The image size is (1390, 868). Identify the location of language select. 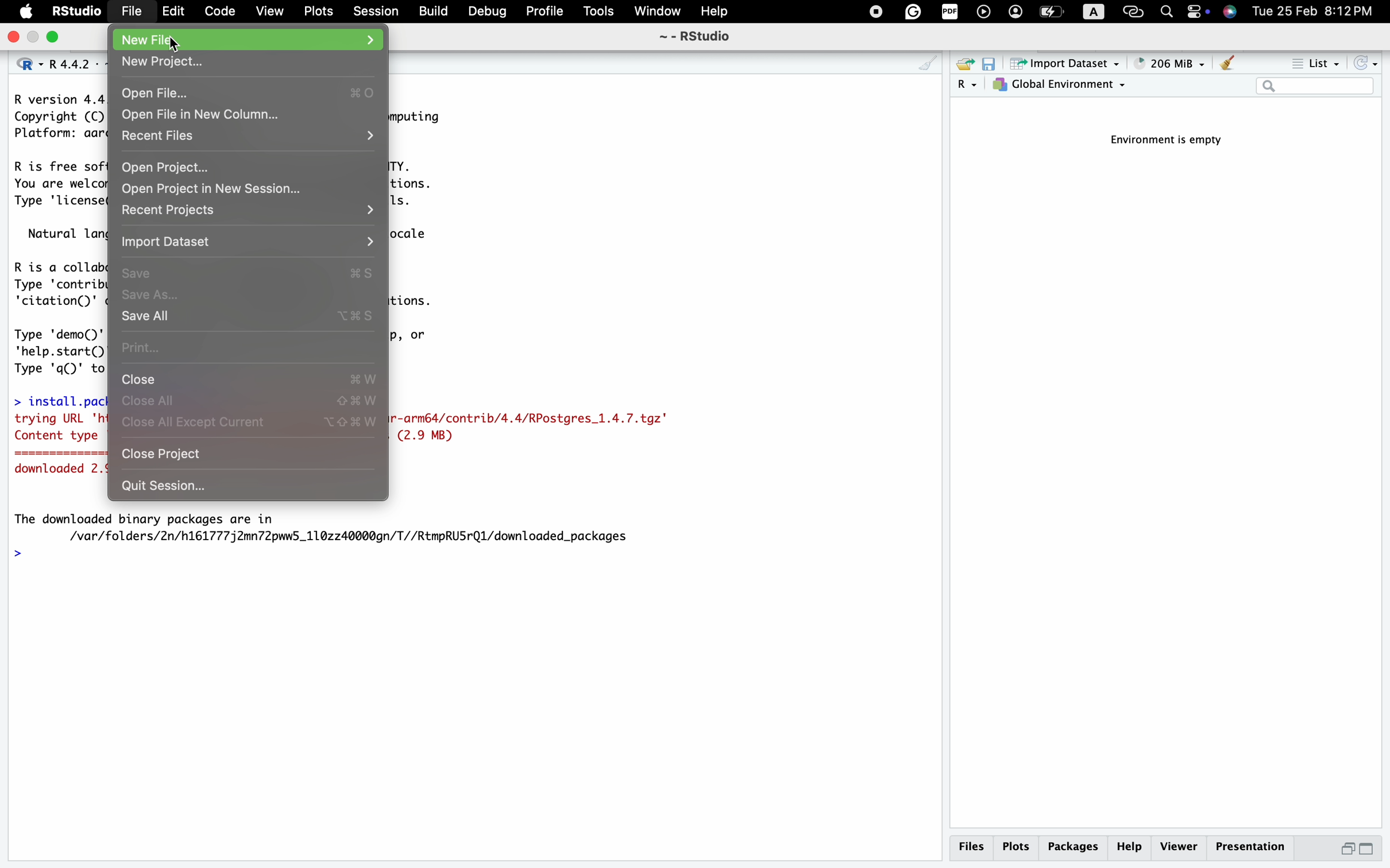
(968, 86).